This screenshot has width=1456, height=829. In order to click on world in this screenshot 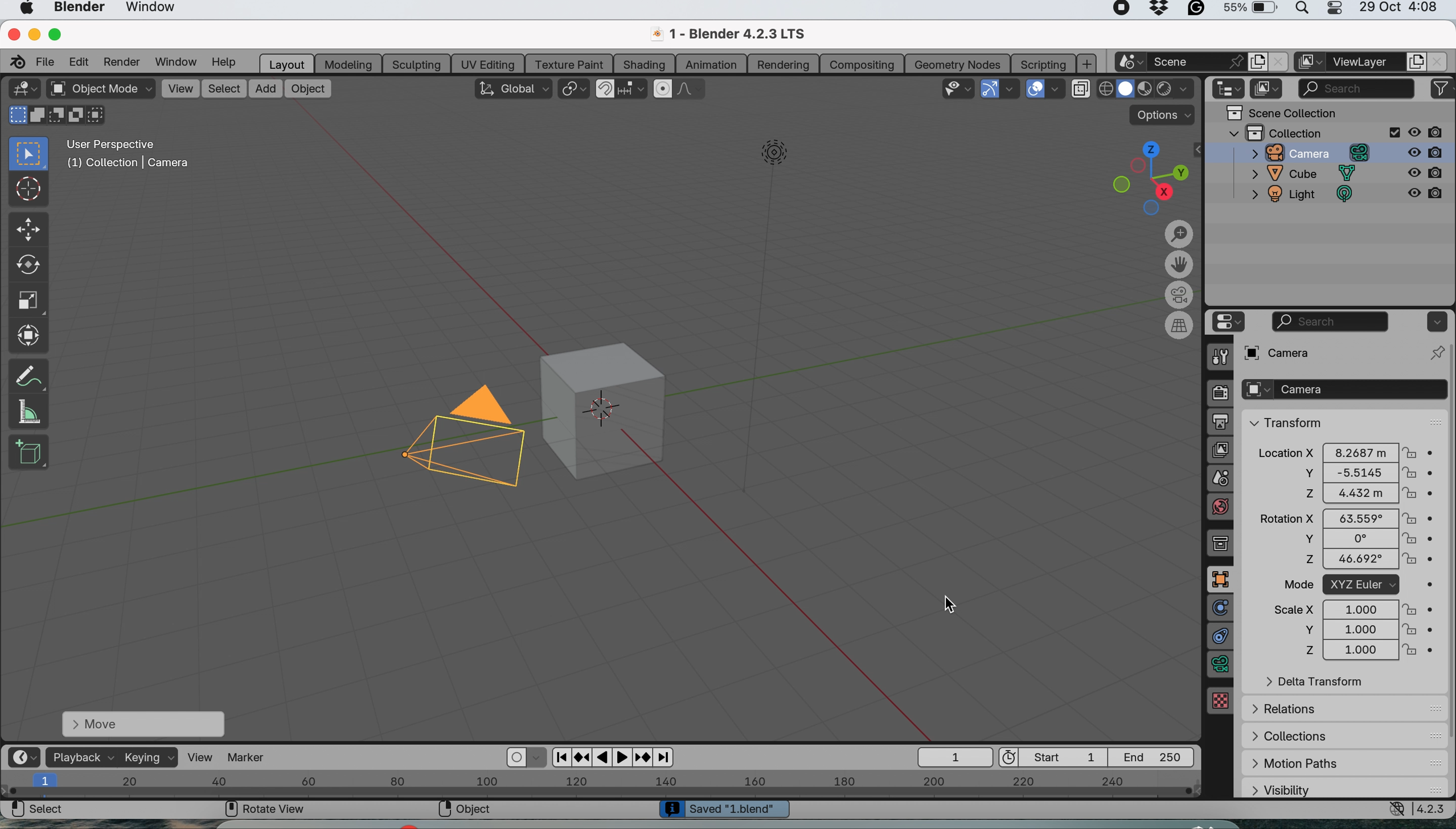, I will do `click(1222, 505)`.